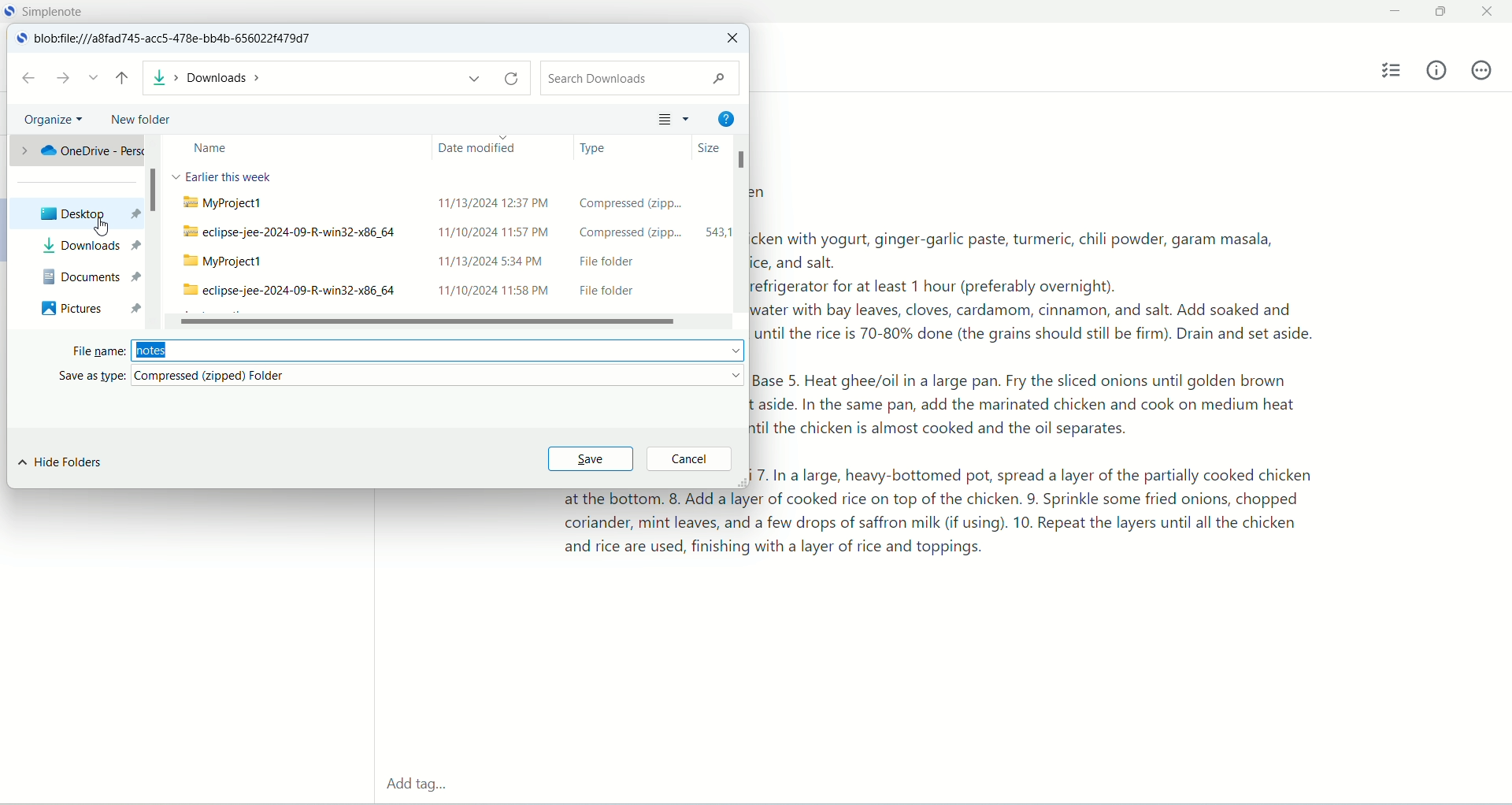 The image size is (1512, 805). What do you see at coordinates (407, 352) in the screenshot?
I see `file name` at bounding box center [407, 352].